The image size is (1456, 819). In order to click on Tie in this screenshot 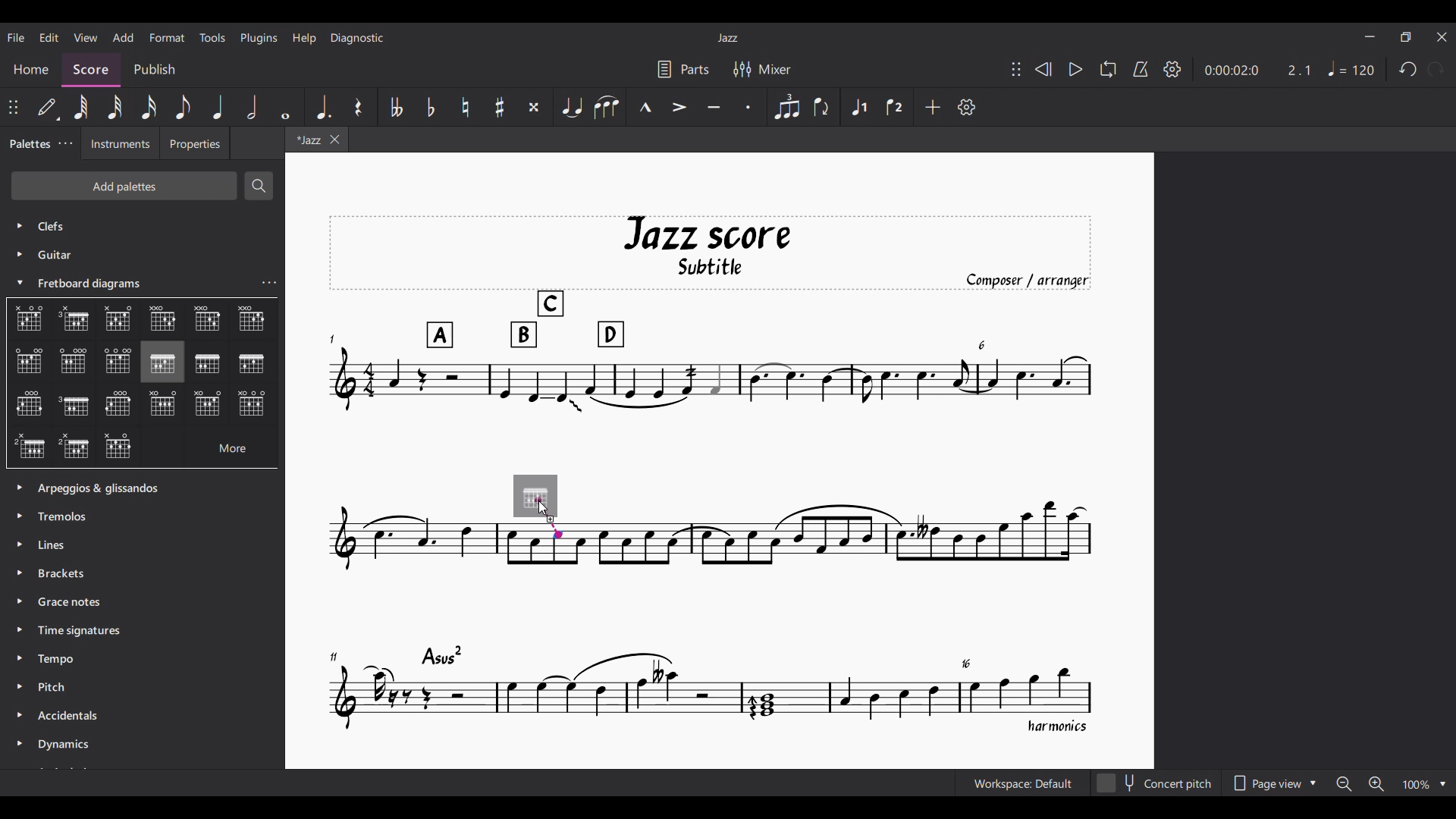, I will do `click(571, 108)`.